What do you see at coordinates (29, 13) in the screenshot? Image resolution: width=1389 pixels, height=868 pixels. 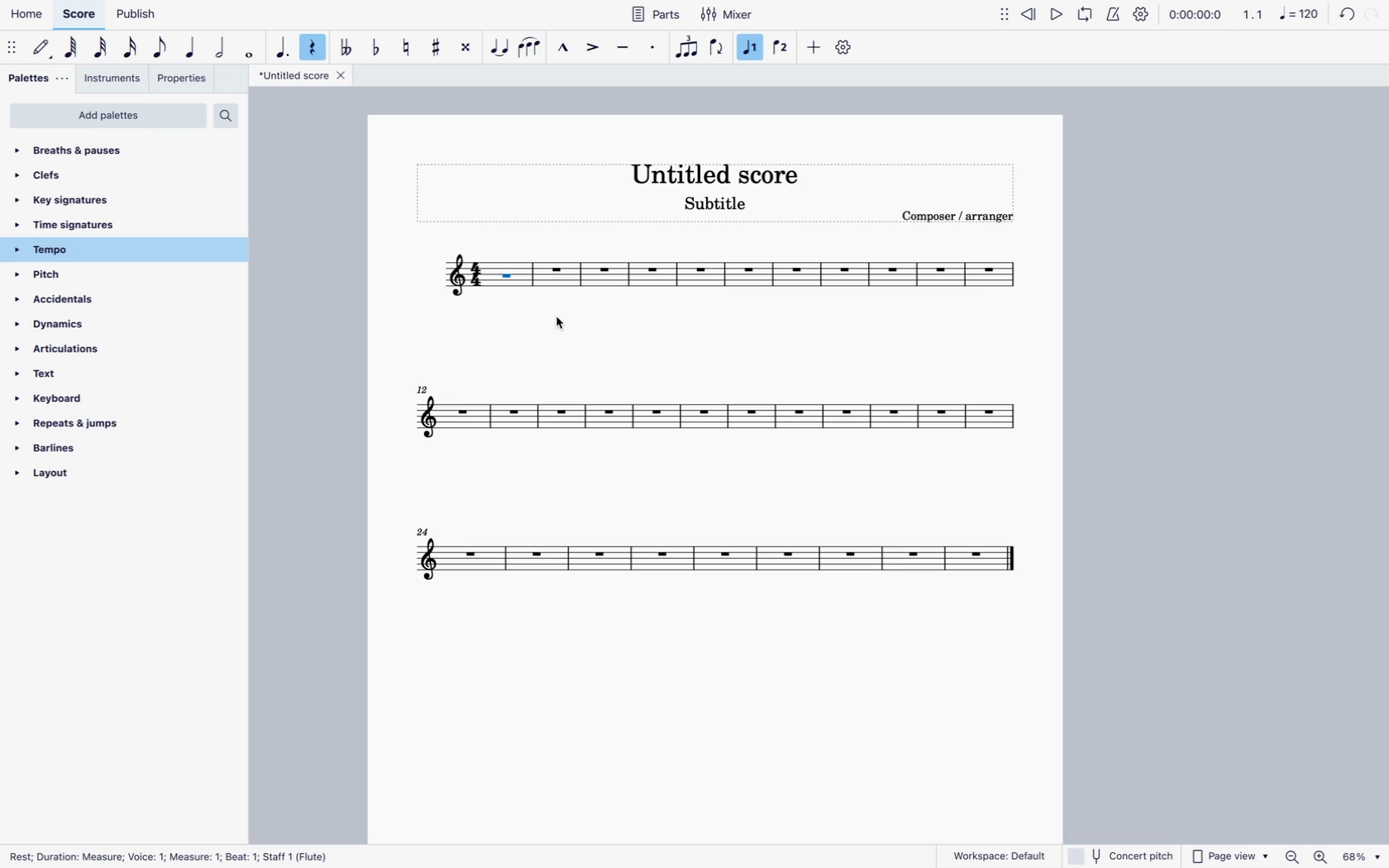 I see `home` at bounding box center [29, 13].